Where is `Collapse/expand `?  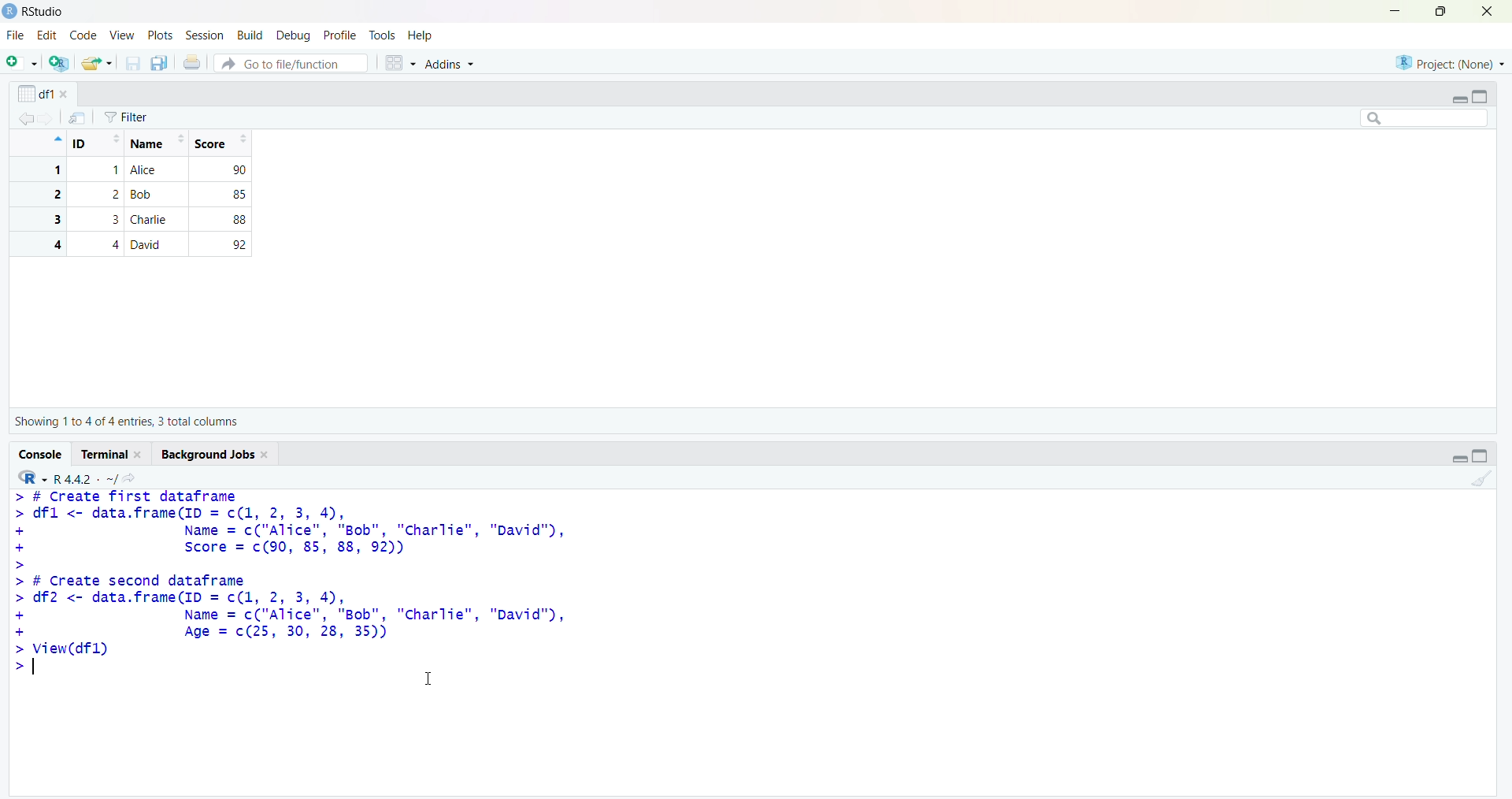
Collapse/expand  is located at coordinates (1459, 459).